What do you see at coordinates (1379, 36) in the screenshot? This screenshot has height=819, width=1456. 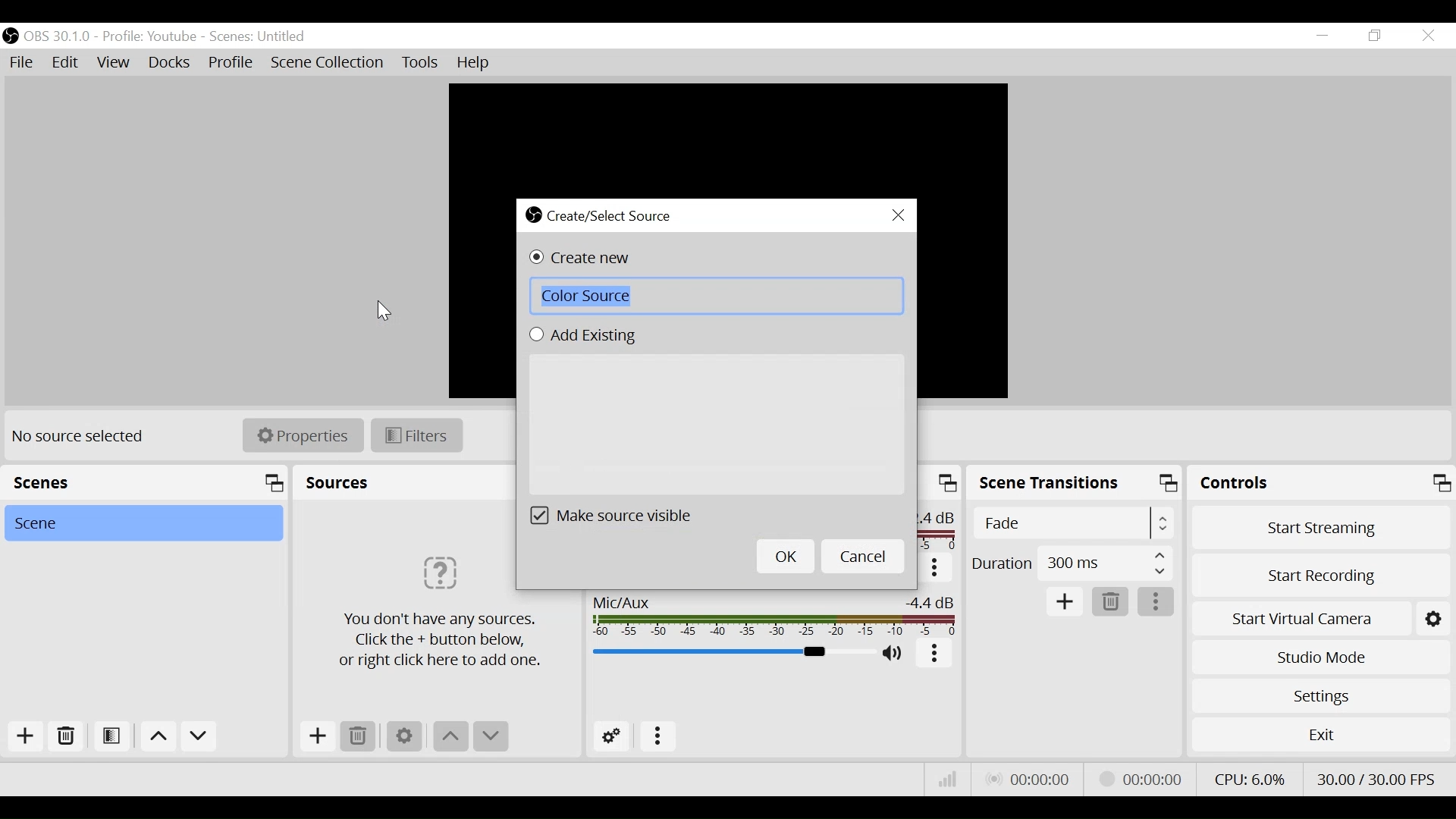 I see `Restore` at bounding box center [1379, 36].